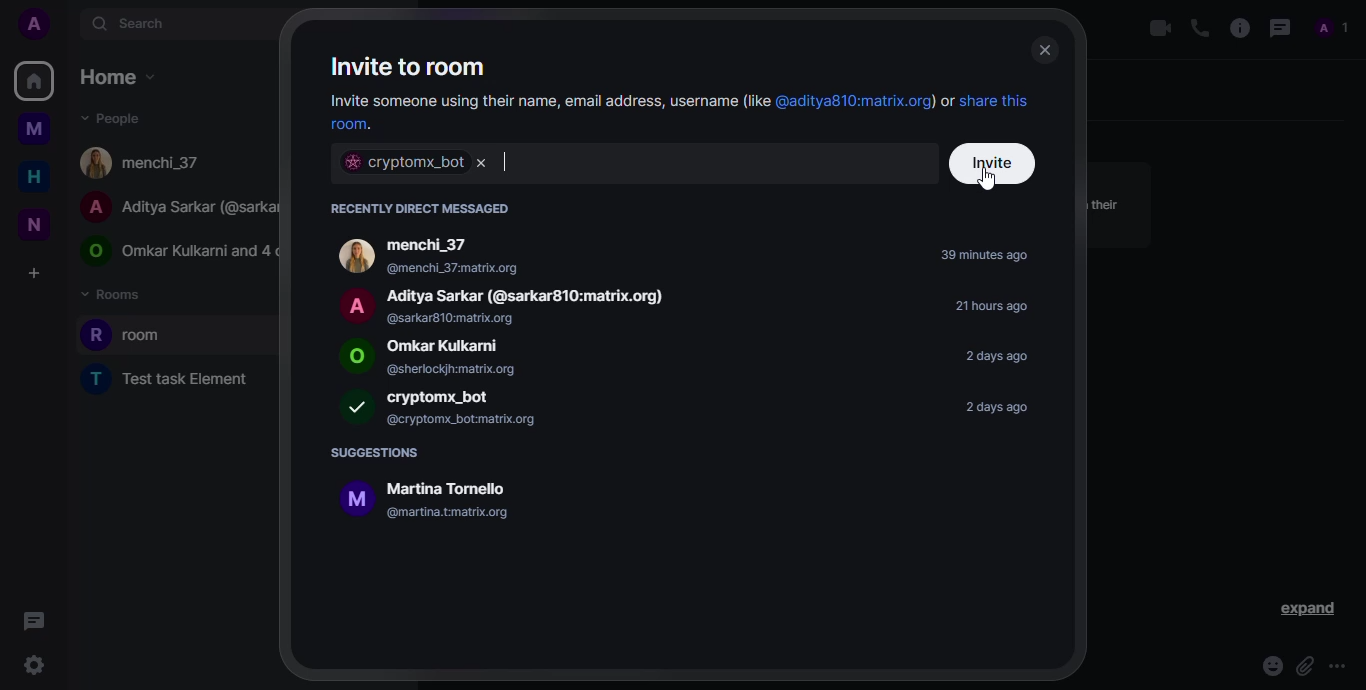  I want to click on create a space, so click(35, 271).